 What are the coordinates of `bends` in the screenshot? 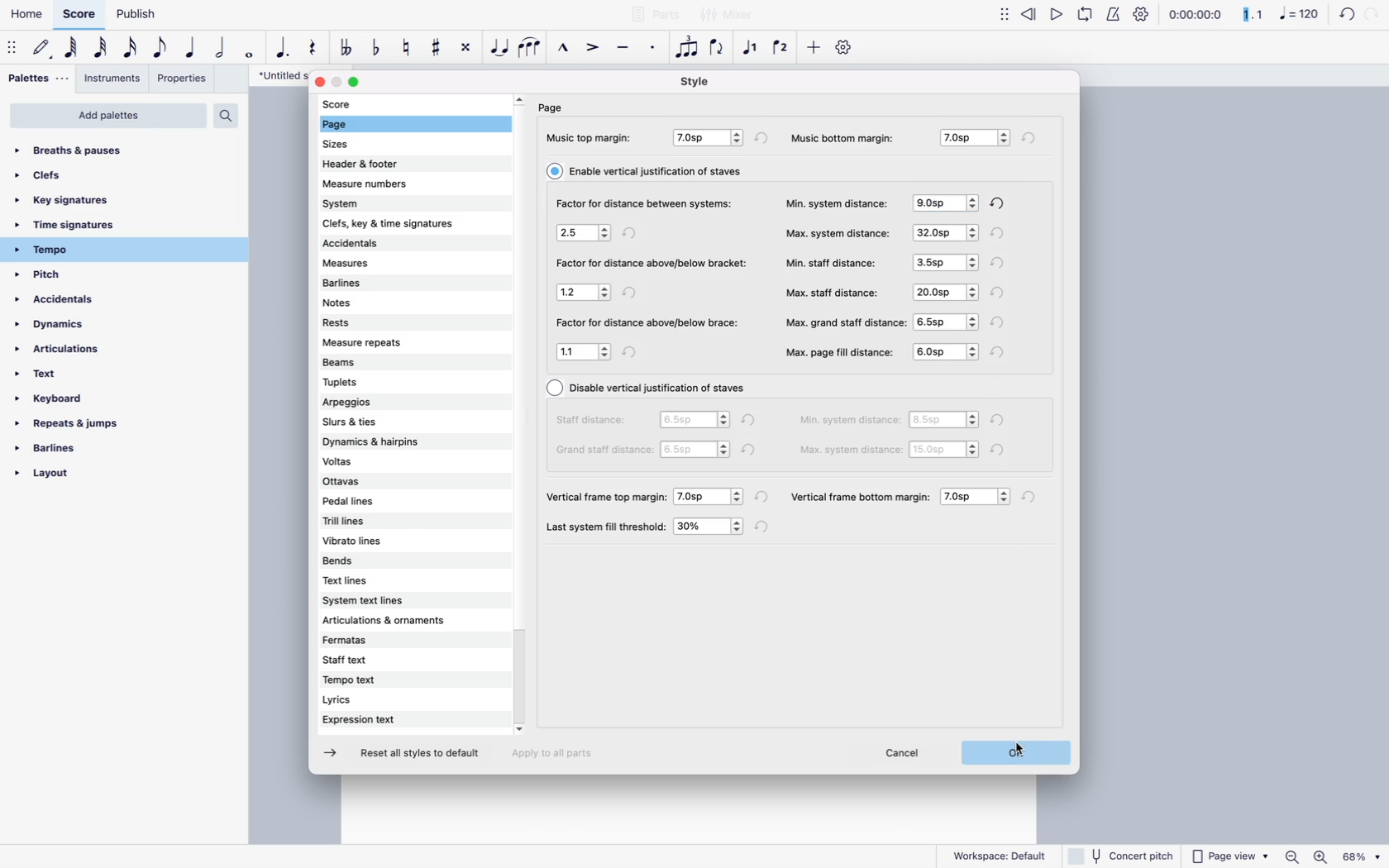 It's located at (372, 562).